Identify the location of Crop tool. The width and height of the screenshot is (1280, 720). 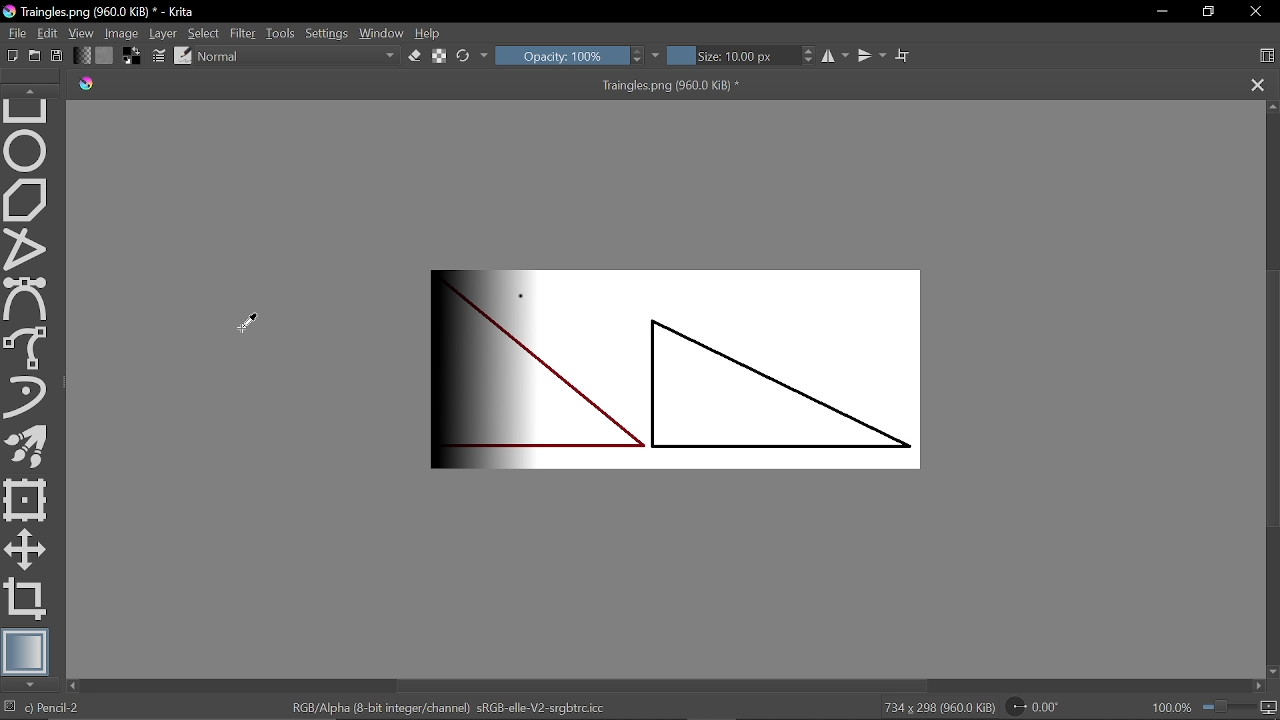
(27, 600).